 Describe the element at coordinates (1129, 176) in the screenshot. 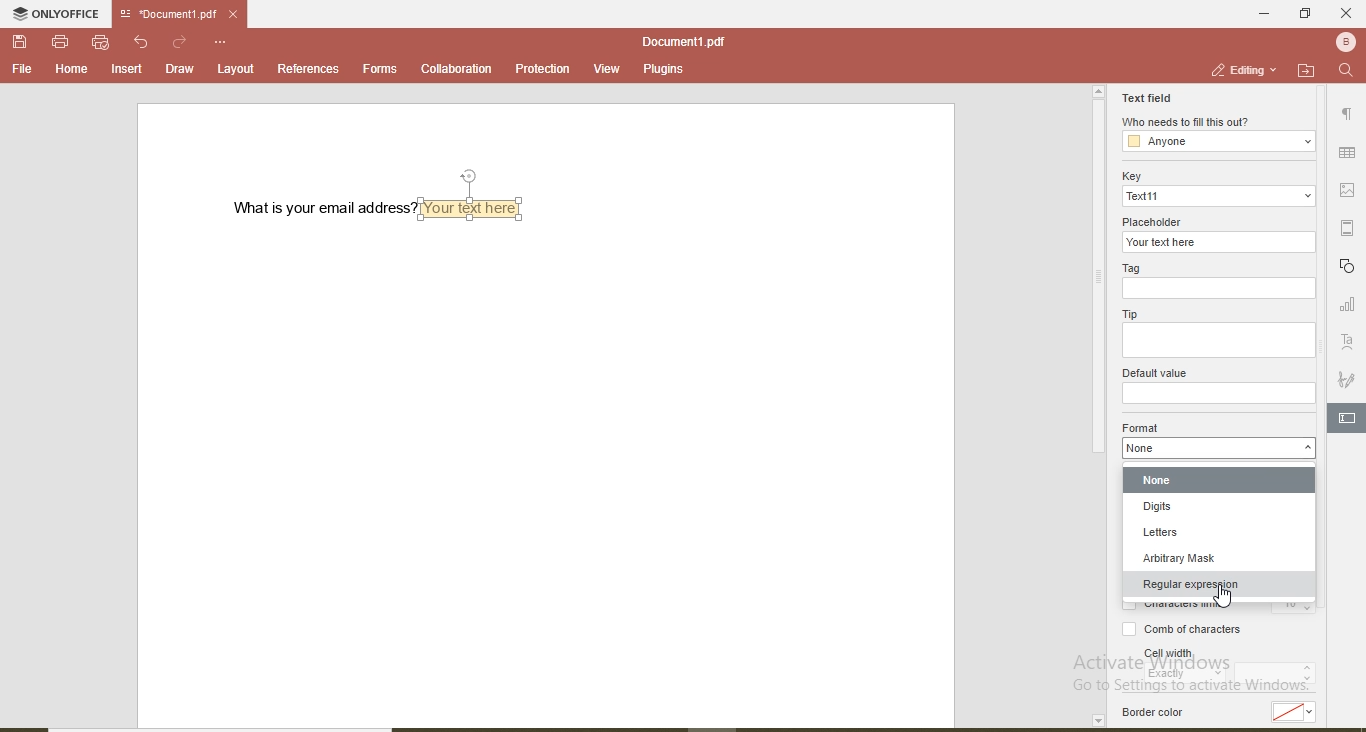

I see `key` at that location.